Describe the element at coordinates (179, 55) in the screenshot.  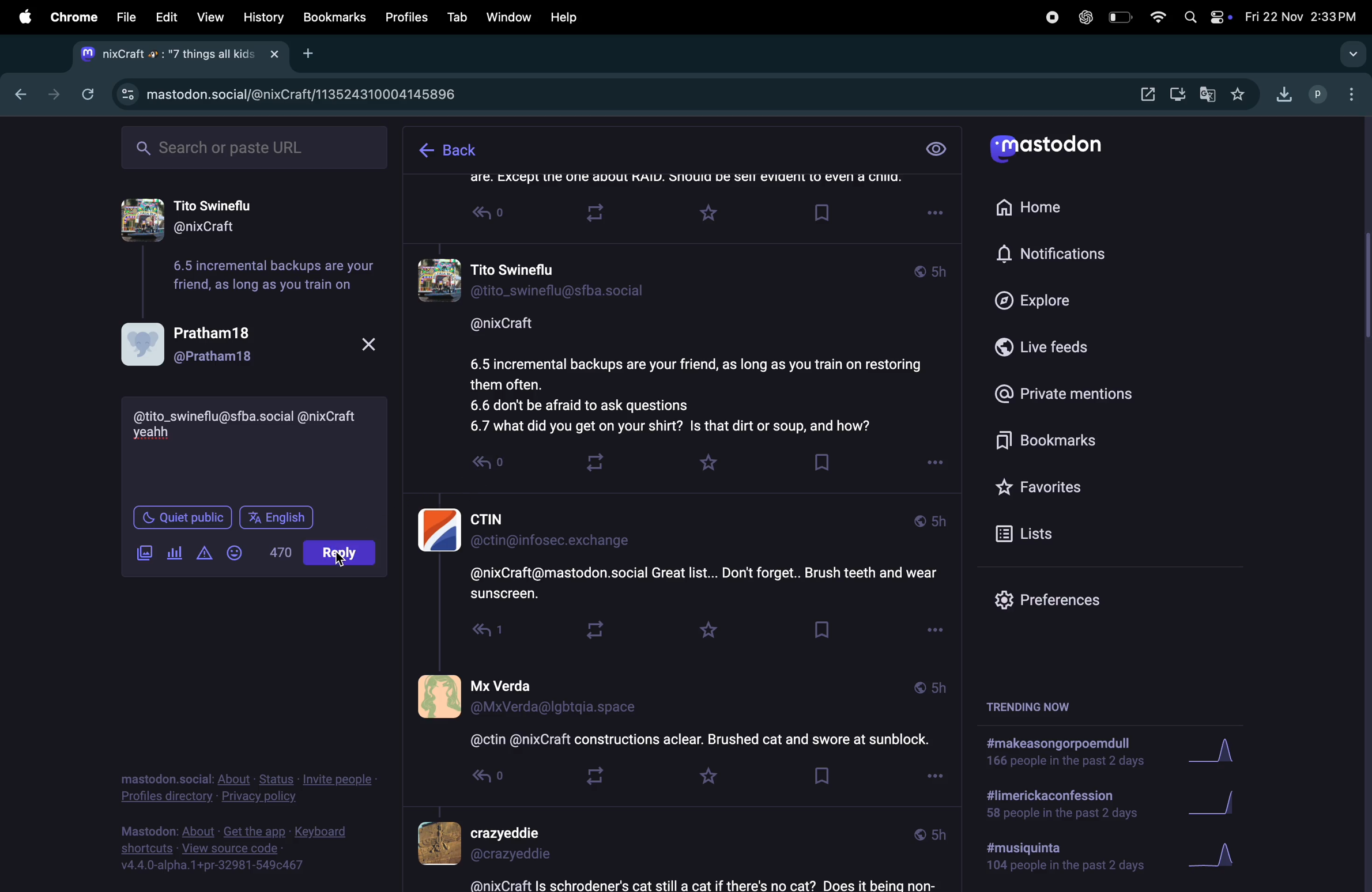
I see `tab` at that location.